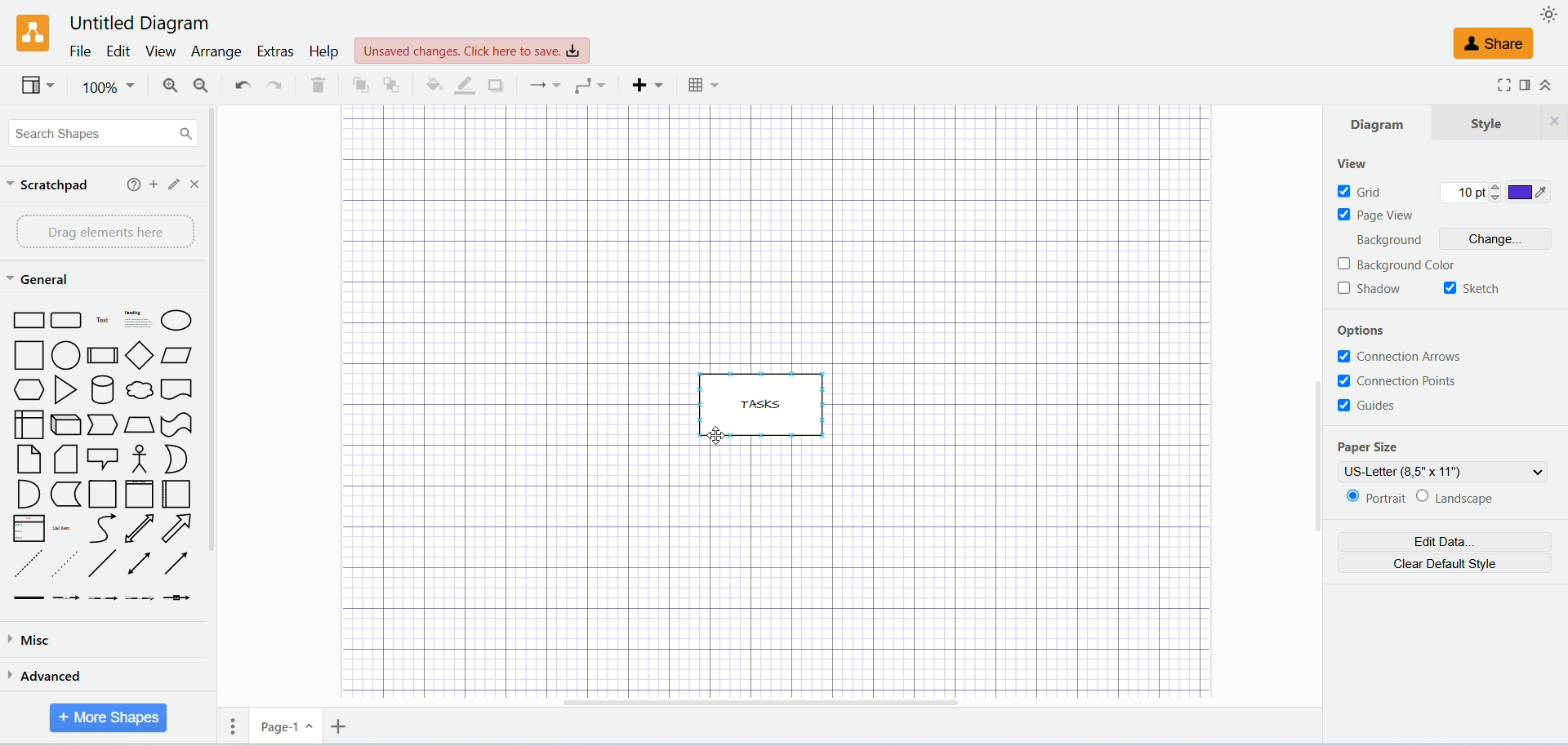  Describe the element at coordinates (64, 564) in the screenshot. I see `Dotted Line` at that location.